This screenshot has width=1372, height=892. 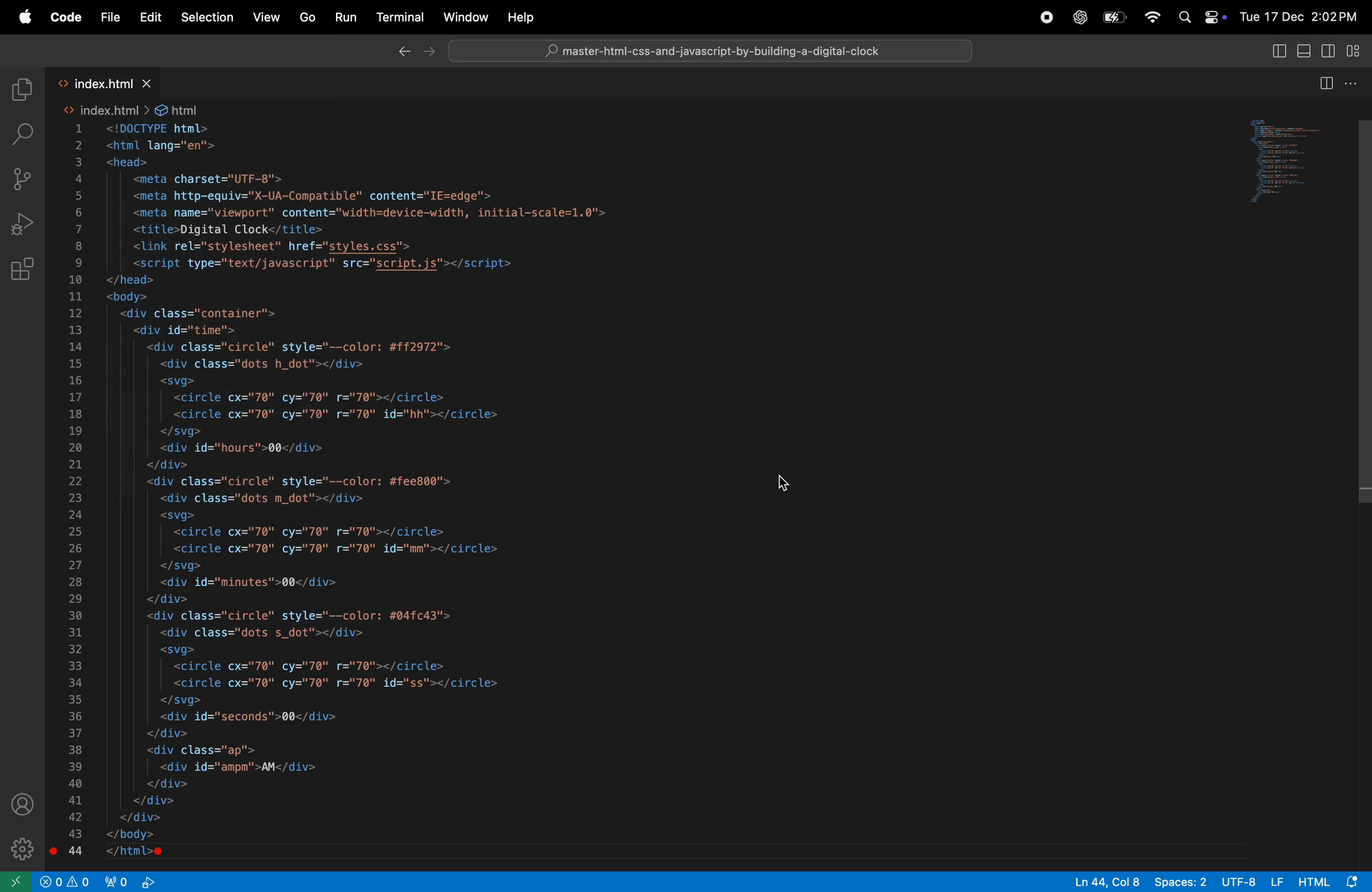 What do you see at coordinates (26, 87) in the screenshot?
I see `explorer` at bounding box center [26, 87].